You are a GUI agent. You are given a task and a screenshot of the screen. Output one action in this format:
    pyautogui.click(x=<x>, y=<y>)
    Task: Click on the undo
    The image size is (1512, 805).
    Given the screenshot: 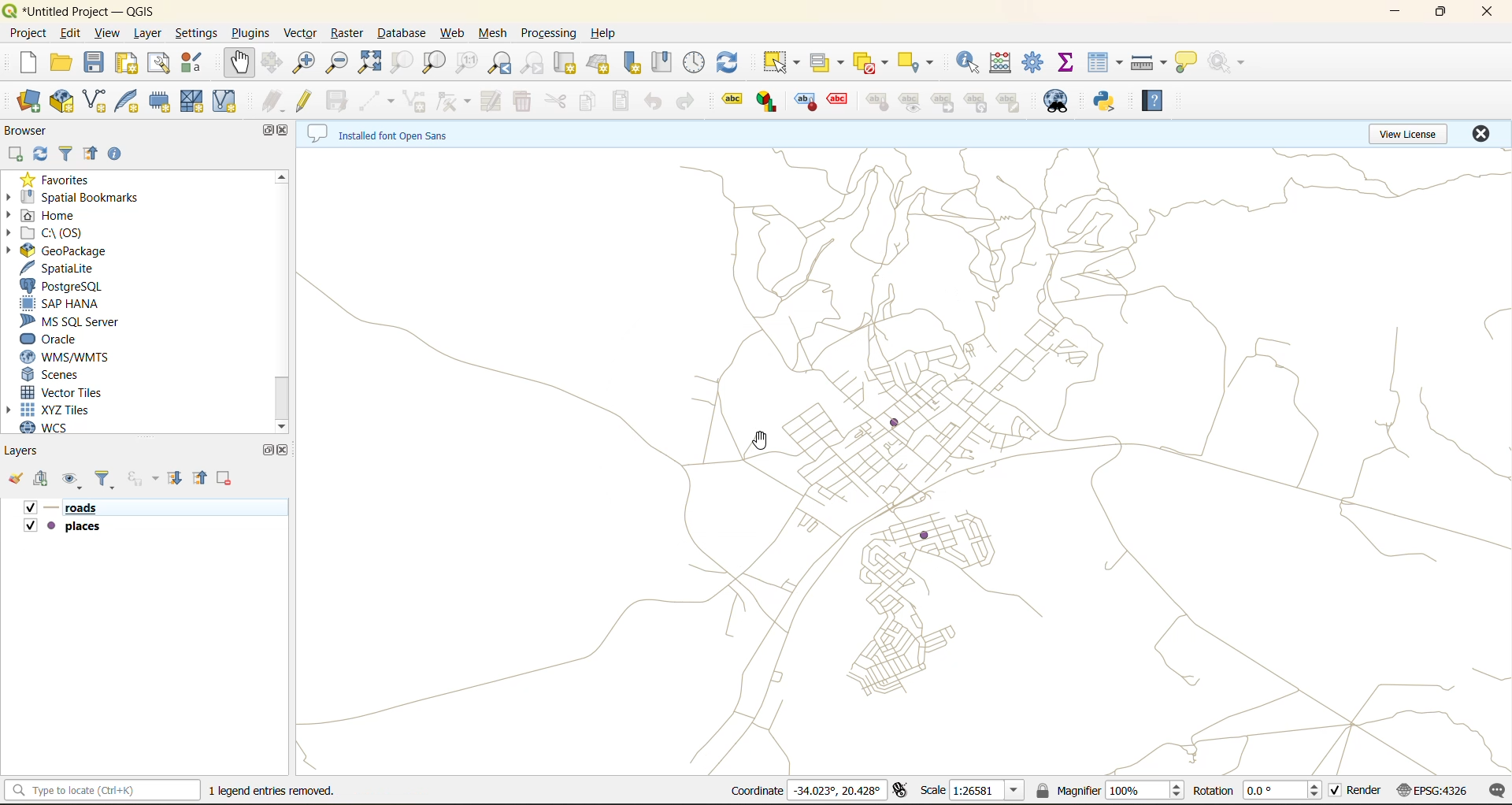 What is the action you would take?
    pyautogui.click(x=650, y=104)
    